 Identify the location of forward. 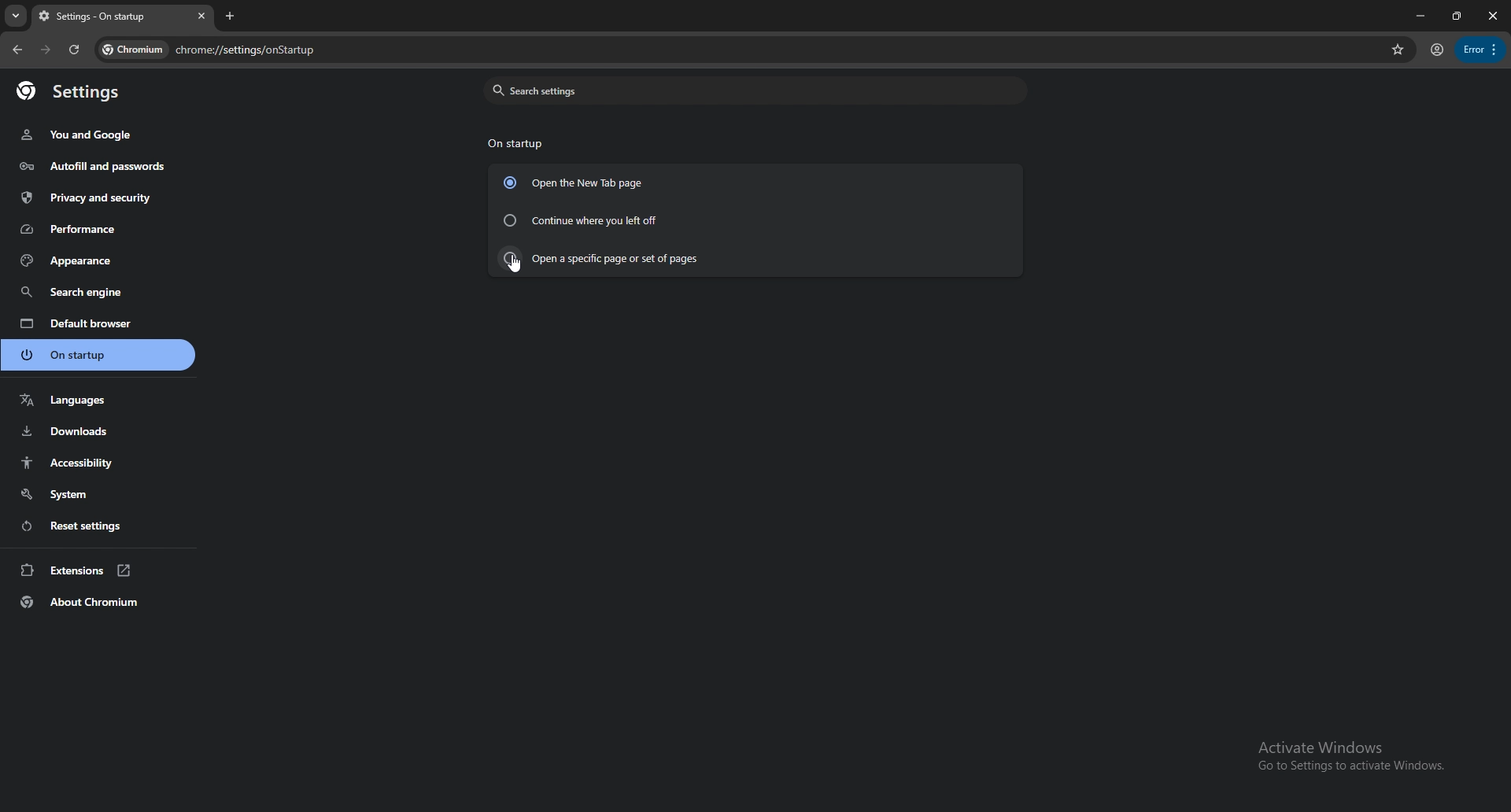
(46, 50).